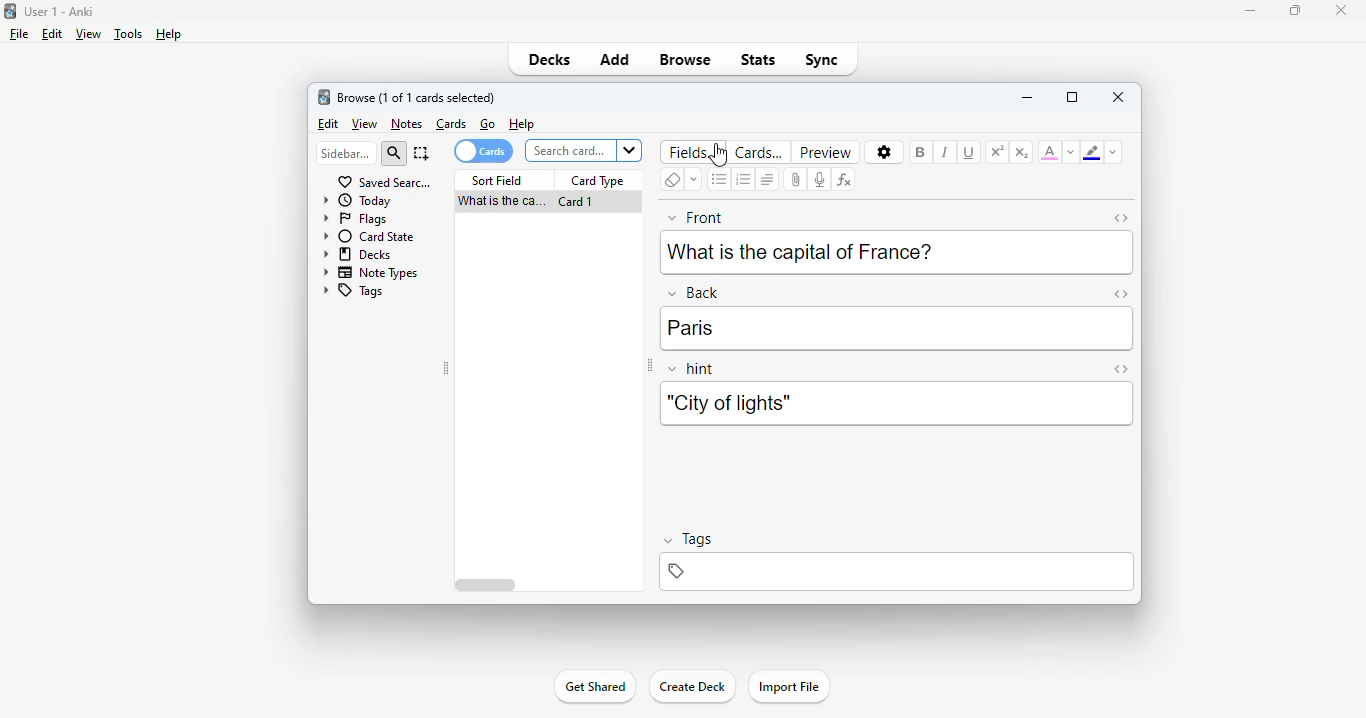 This screenshot has width=1366, height=718. I want to click on card 1, so click(576, 202).